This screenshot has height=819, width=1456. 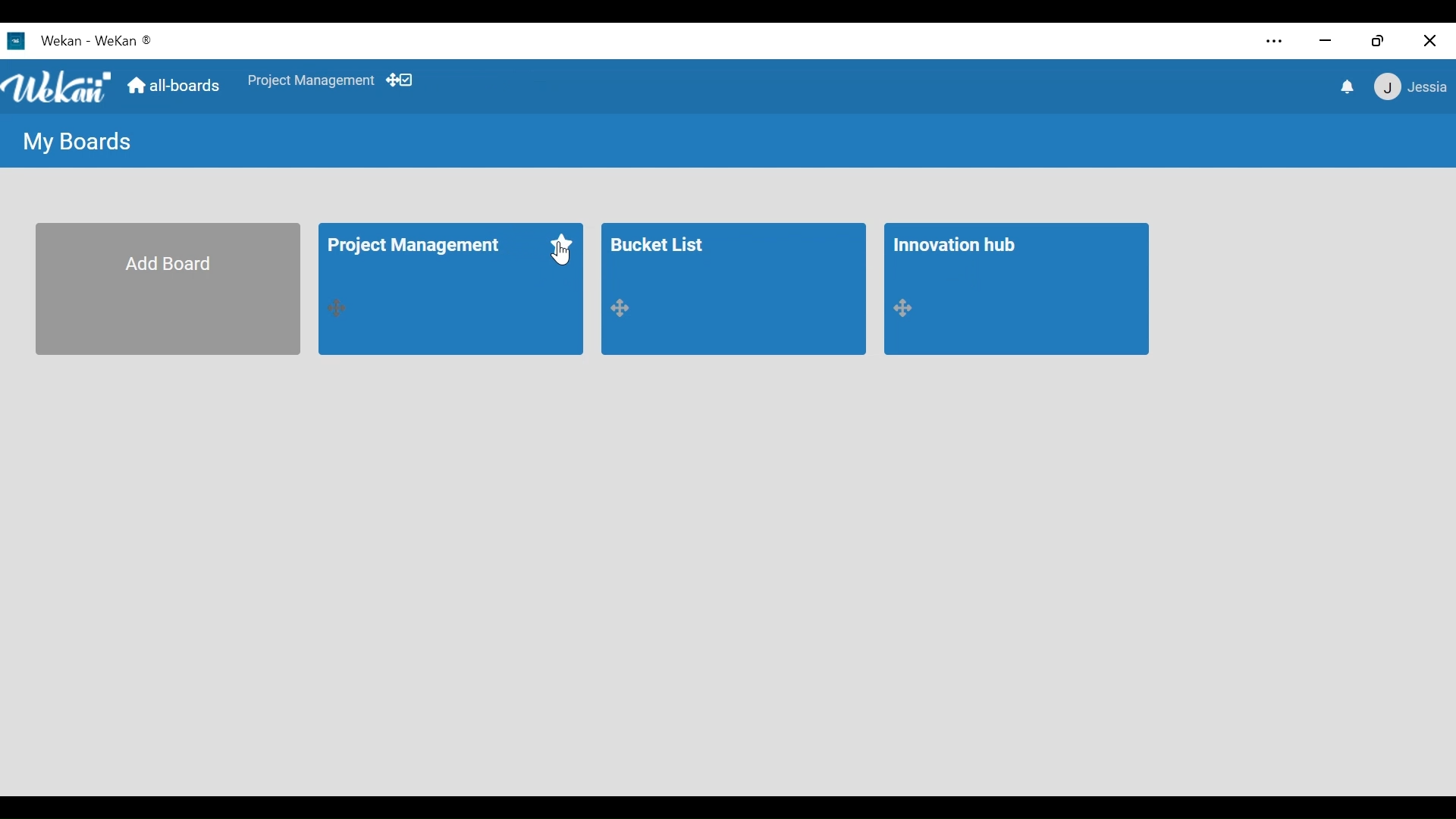 What do you see at coordinates (553, 256) in the screenshot?
I see `Cursor` at bounding box center [553, 256].